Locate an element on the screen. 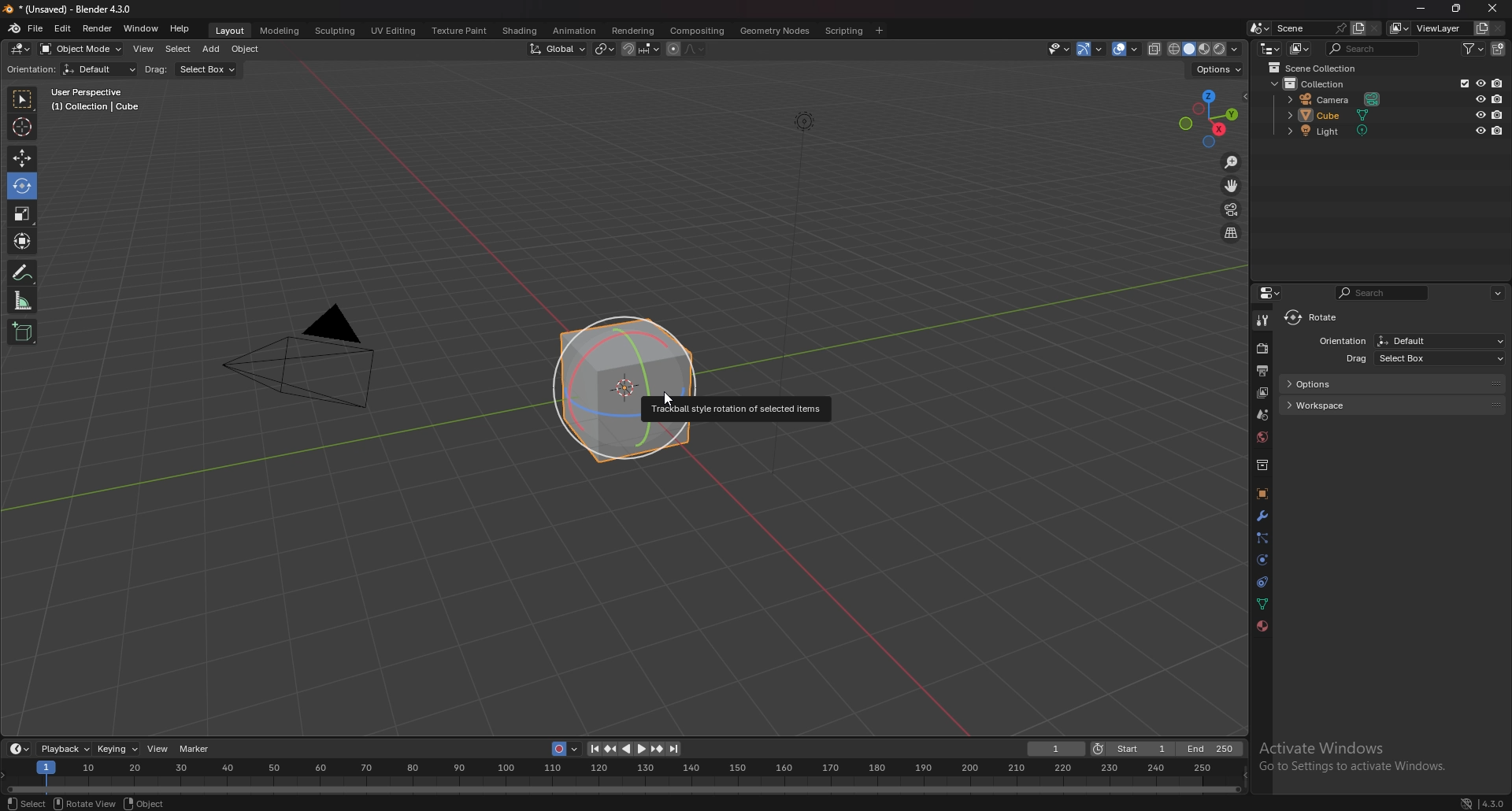  uv editing is located at coordinates (394, 31).